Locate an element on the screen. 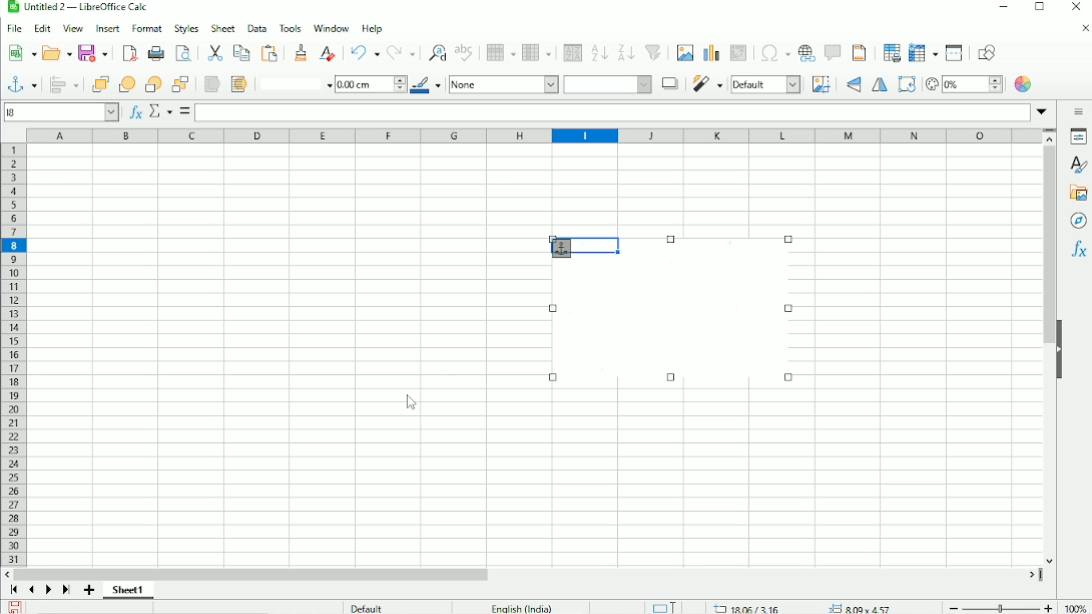 The image size is (1092, 614). Insert is located at coordinates (107, 27).